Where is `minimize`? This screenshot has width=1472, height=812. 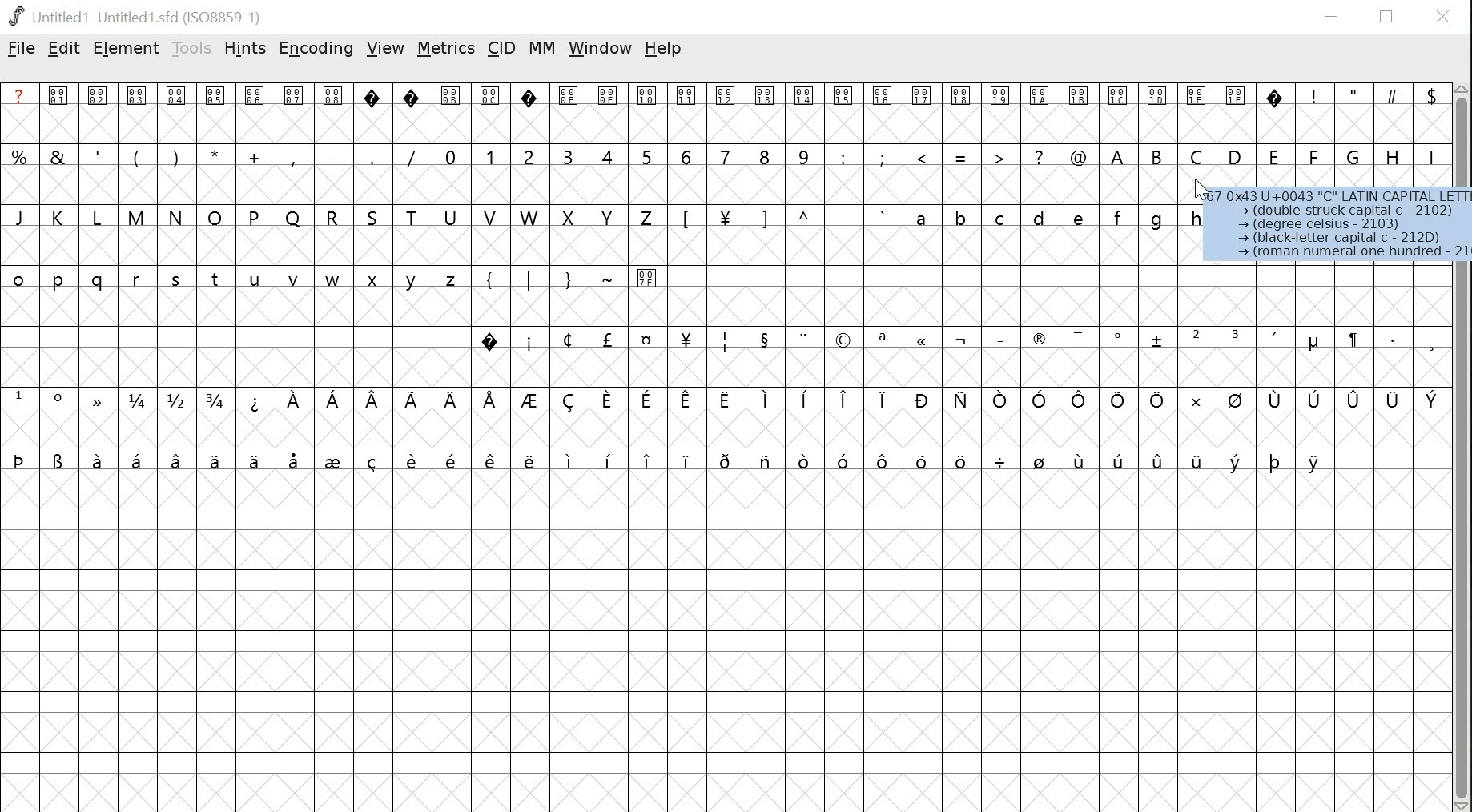 minimize is located at coordinates (1333, 14).